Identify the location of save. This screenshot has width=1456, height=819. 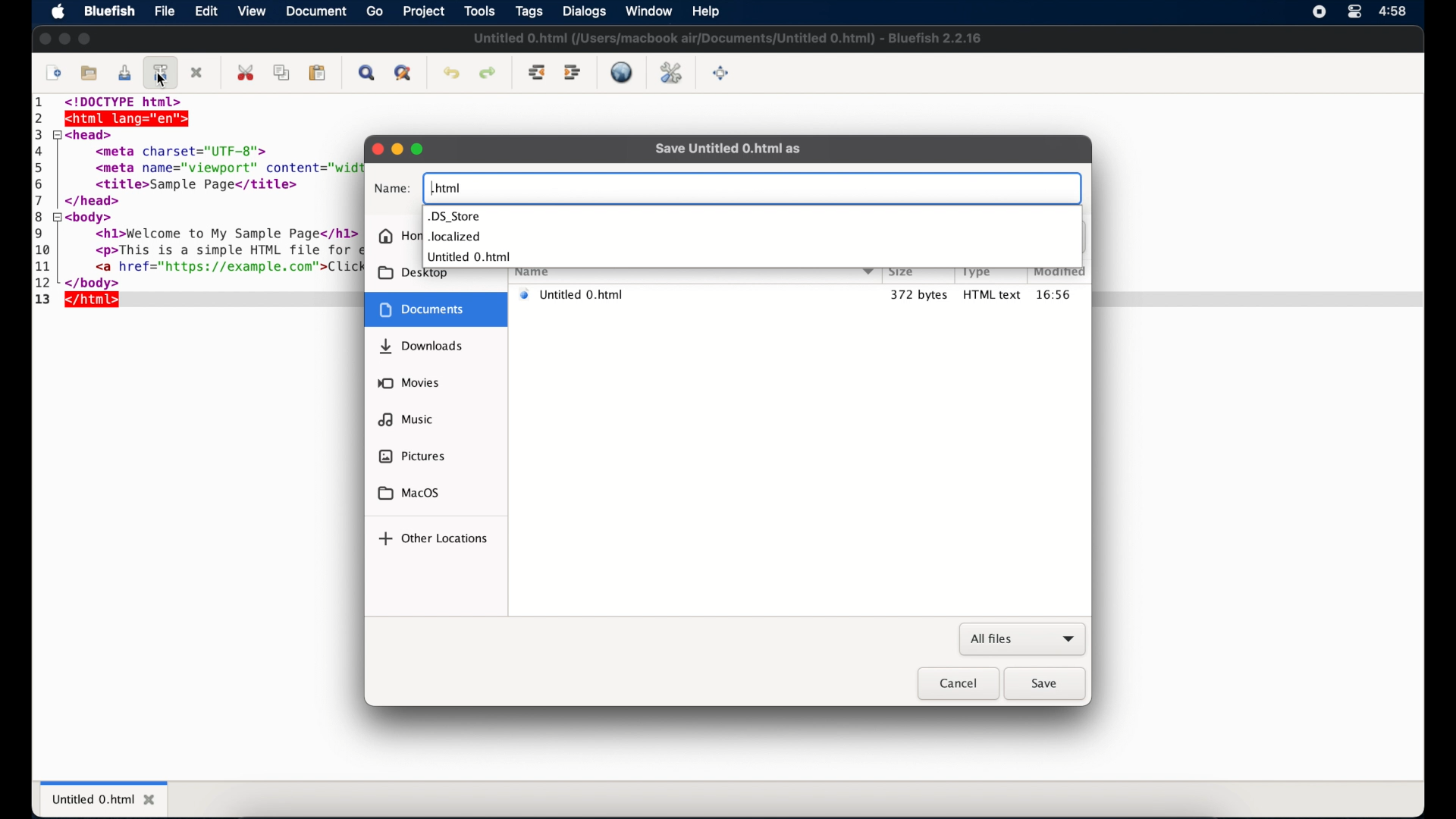
(1046, 684).